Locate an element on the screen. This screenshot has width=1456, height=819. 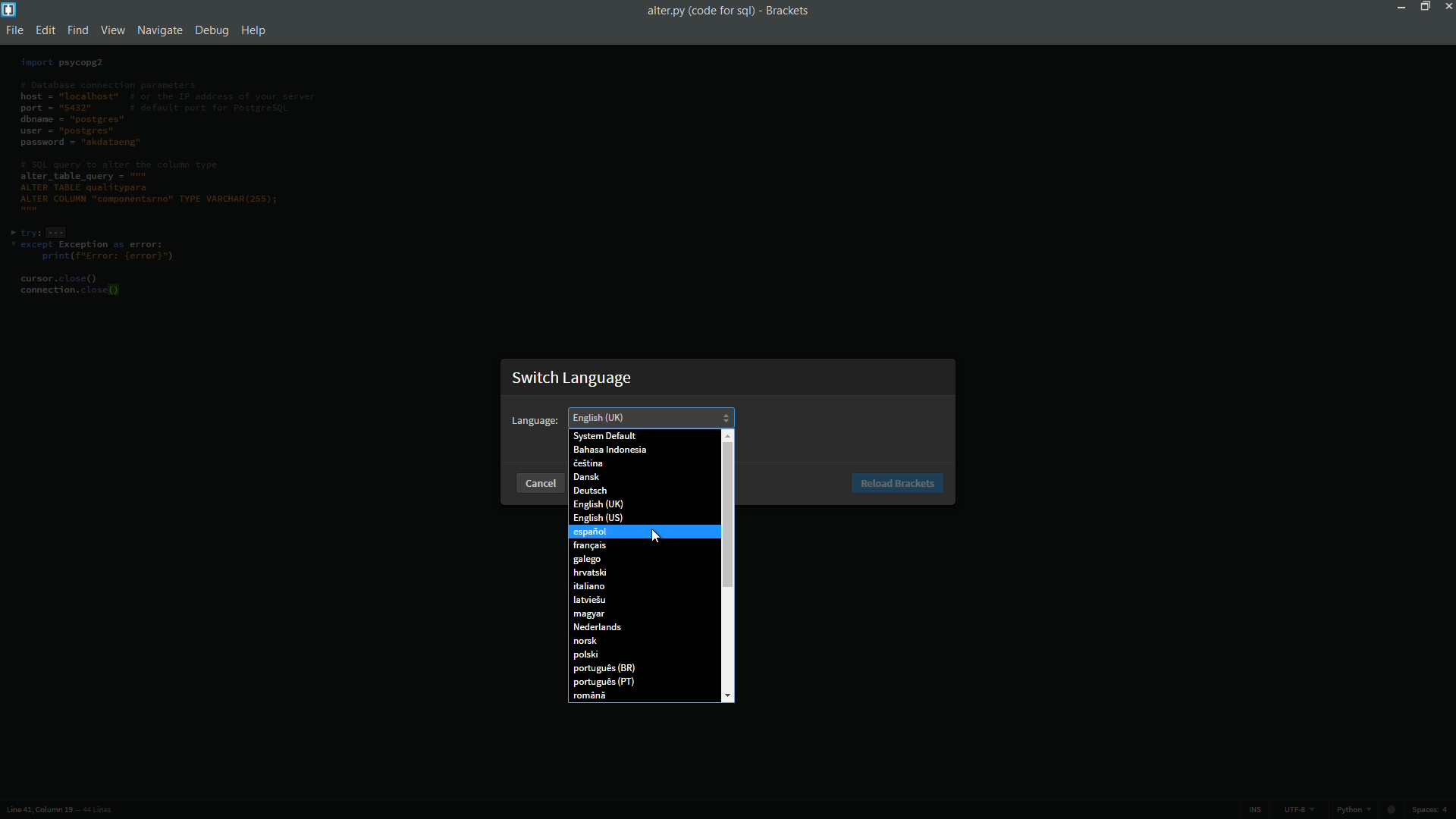
cursor on español is located at coordinates (658, 535).